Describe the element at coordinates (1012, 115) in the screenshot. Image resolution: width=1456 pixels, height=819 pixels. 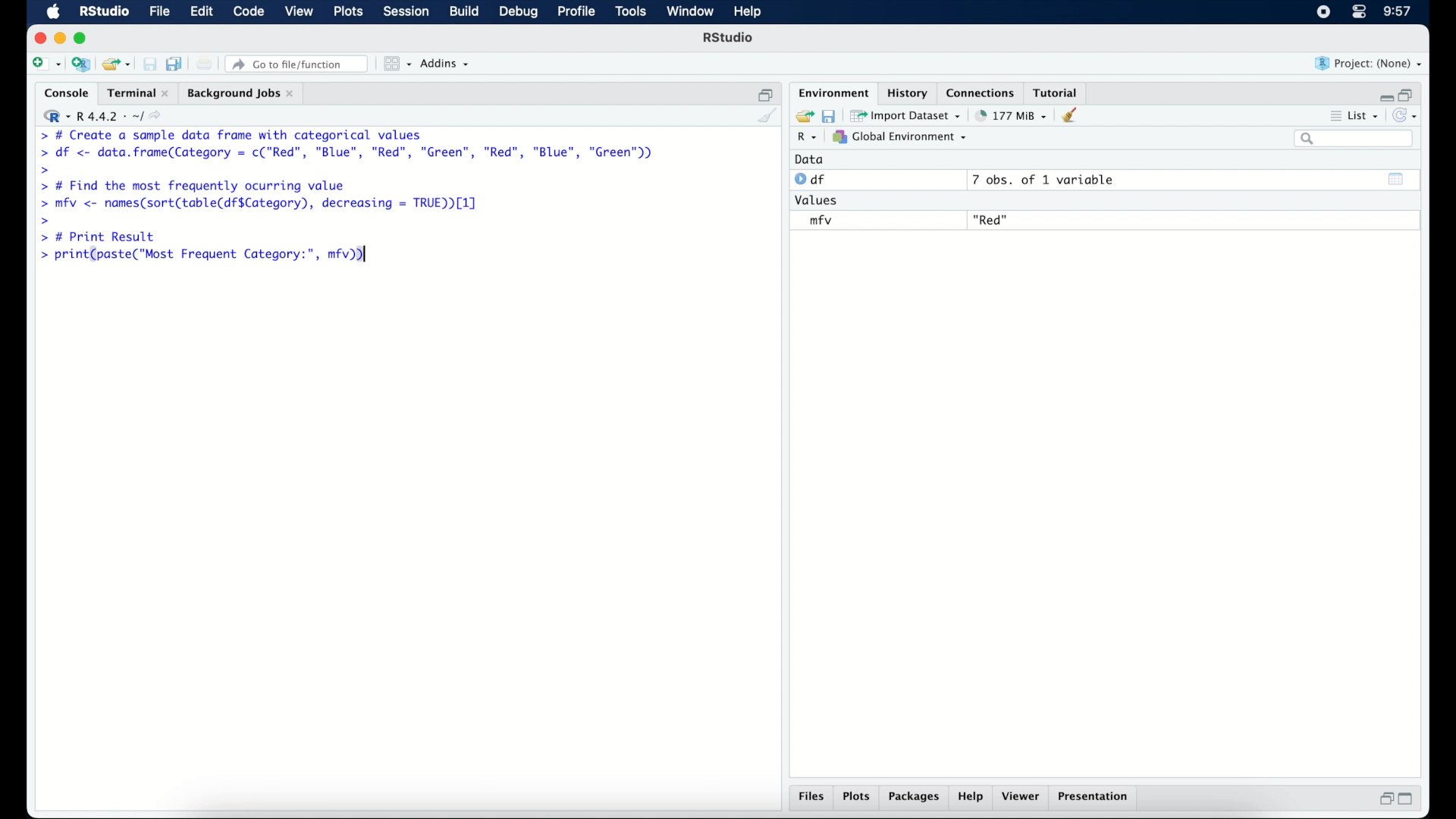
I see `142 MB` at that location.